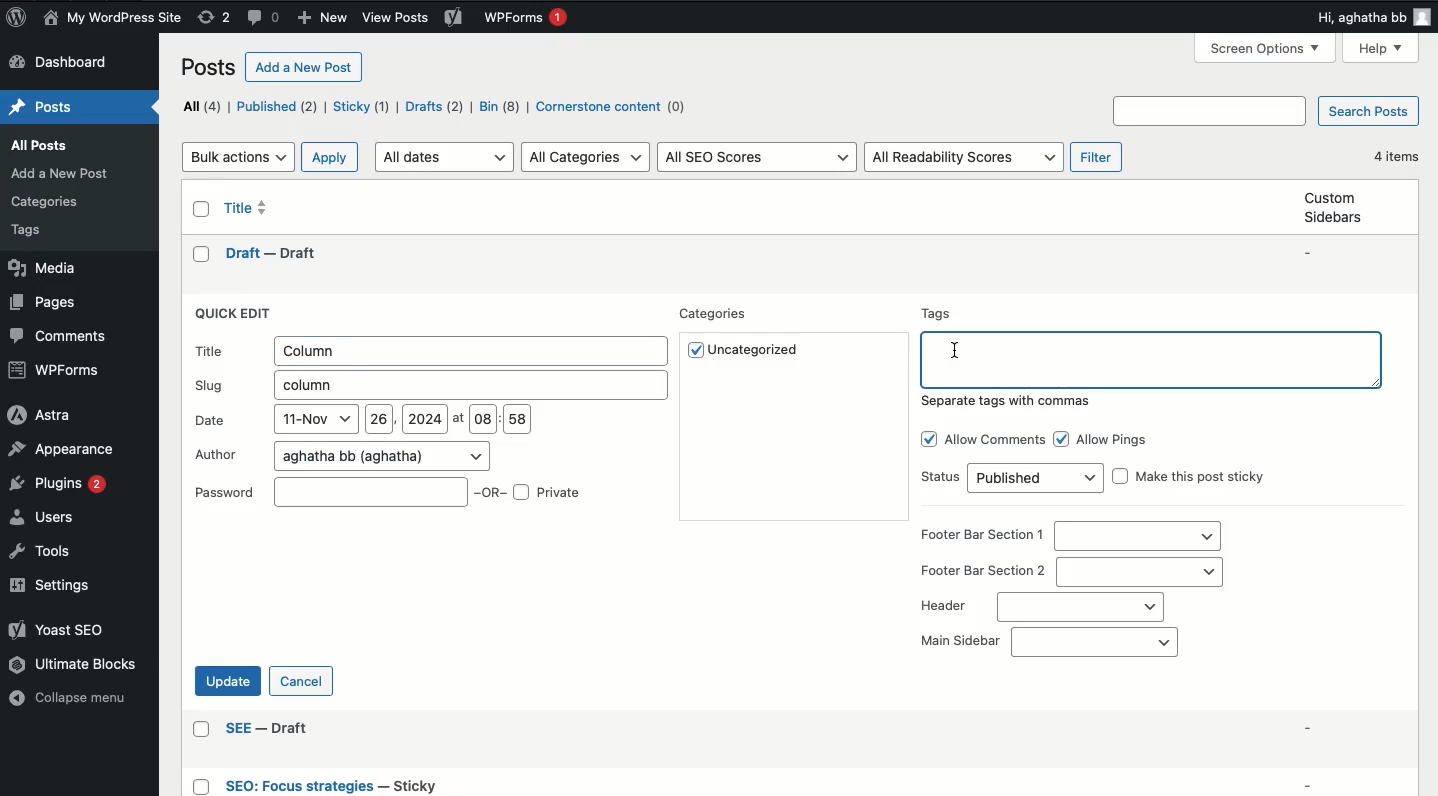 This screenshot has height=796, width=1438. What do you see at coordinates (436, 108) in the screenshot?
I see `Drafts` at bounding box center [436, 108].